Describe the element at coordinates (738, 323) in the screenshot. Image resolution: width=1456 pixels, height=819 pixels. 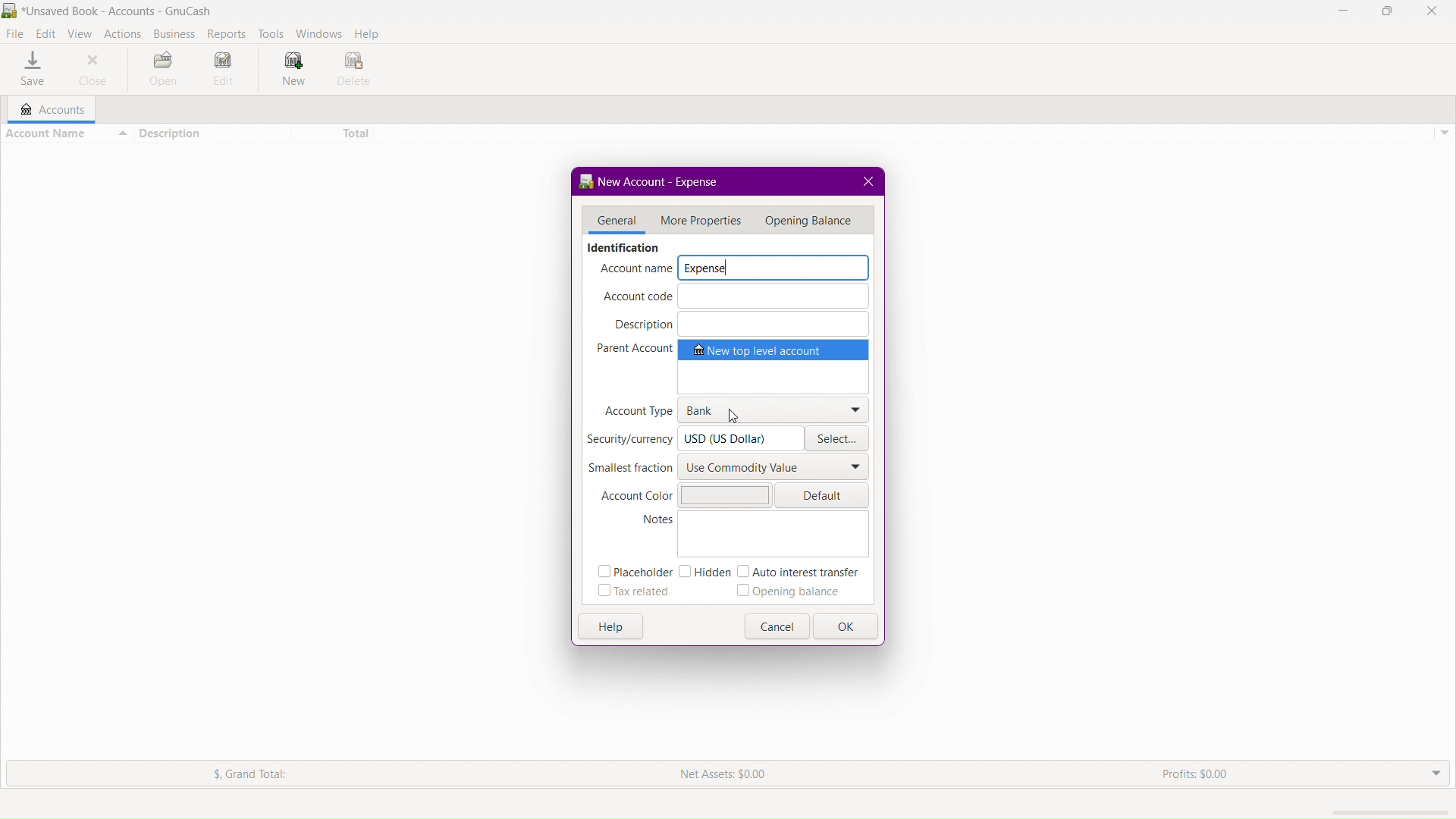
I see `Description` at that location.